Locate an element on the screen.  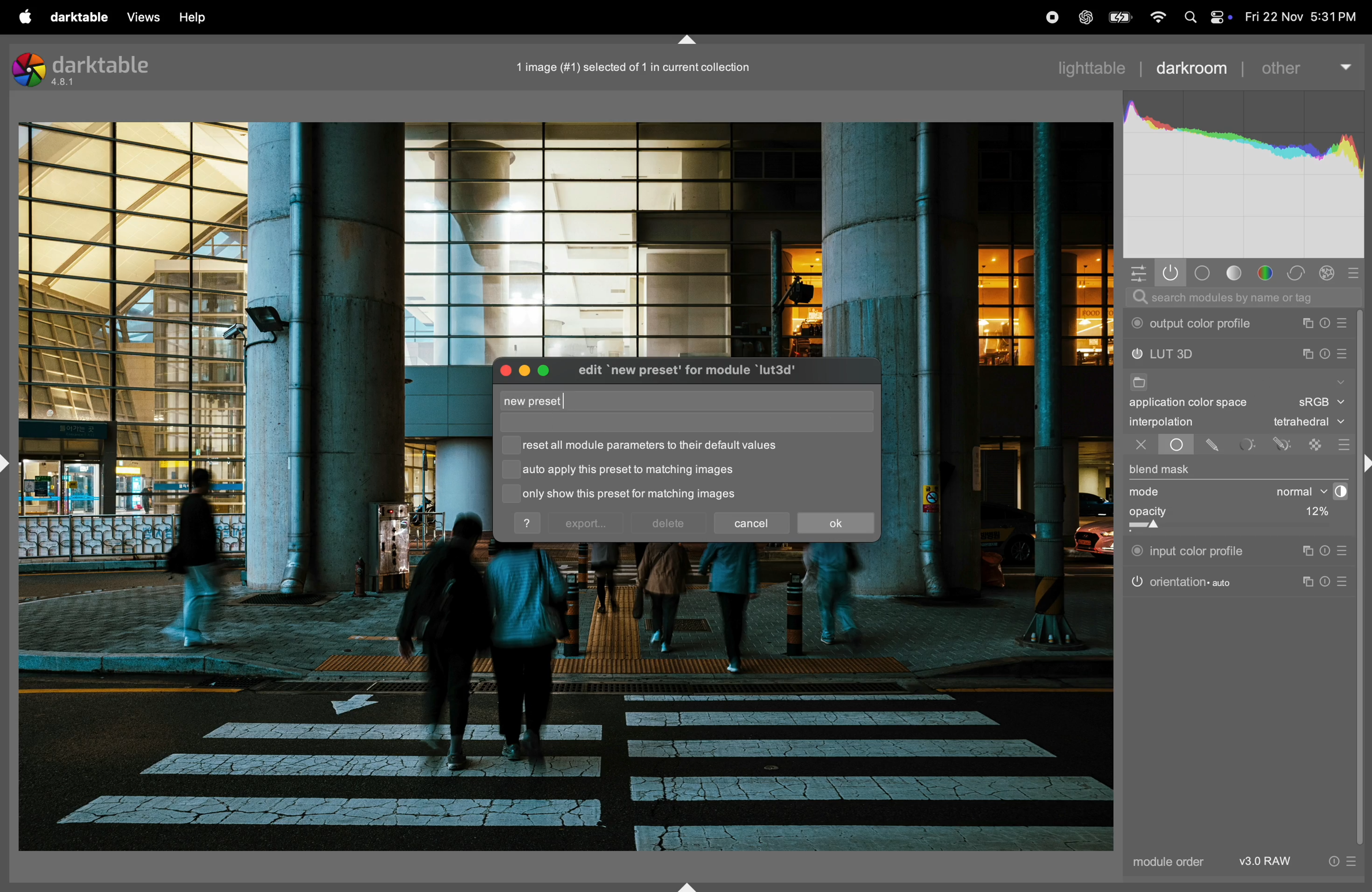
 is located at coordinates (1363, 465).